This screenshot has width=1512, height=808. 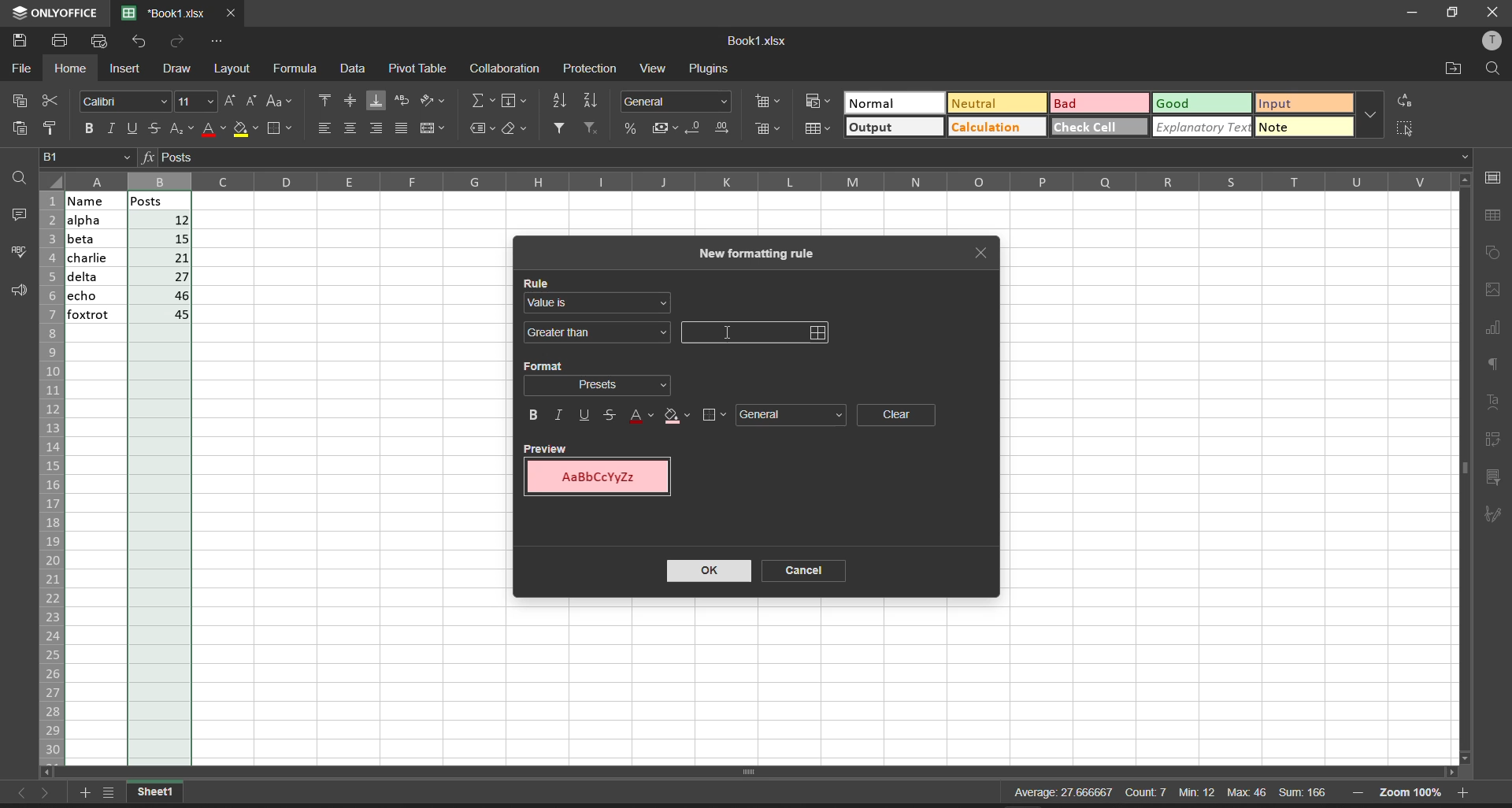 What do you see at coordinates (435, 128) in the screenshot?
I see `merge and center` at bounding box center [435, 128].